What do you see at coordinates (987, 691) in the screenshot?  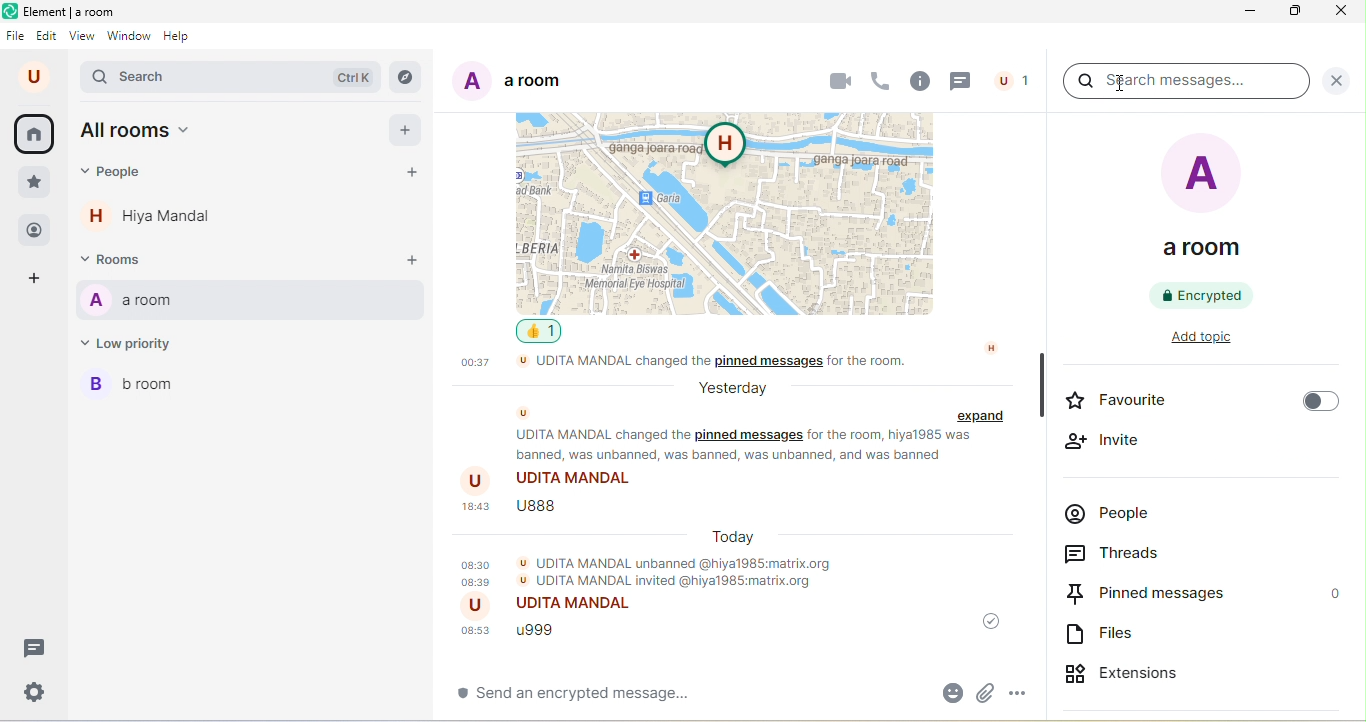 I see `attachment` at bounding box center [987, 691].